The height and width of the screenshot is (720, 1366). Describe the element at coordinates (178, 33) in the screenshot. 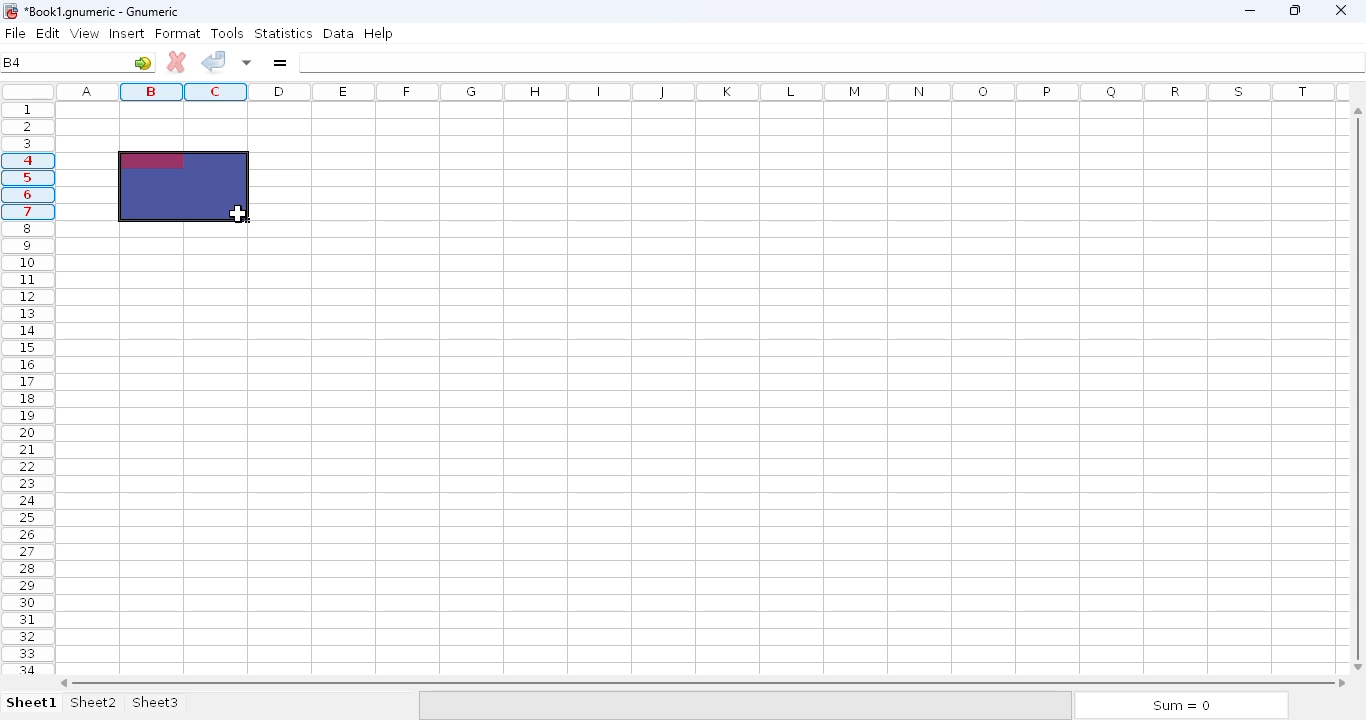

I see `format` at that location.